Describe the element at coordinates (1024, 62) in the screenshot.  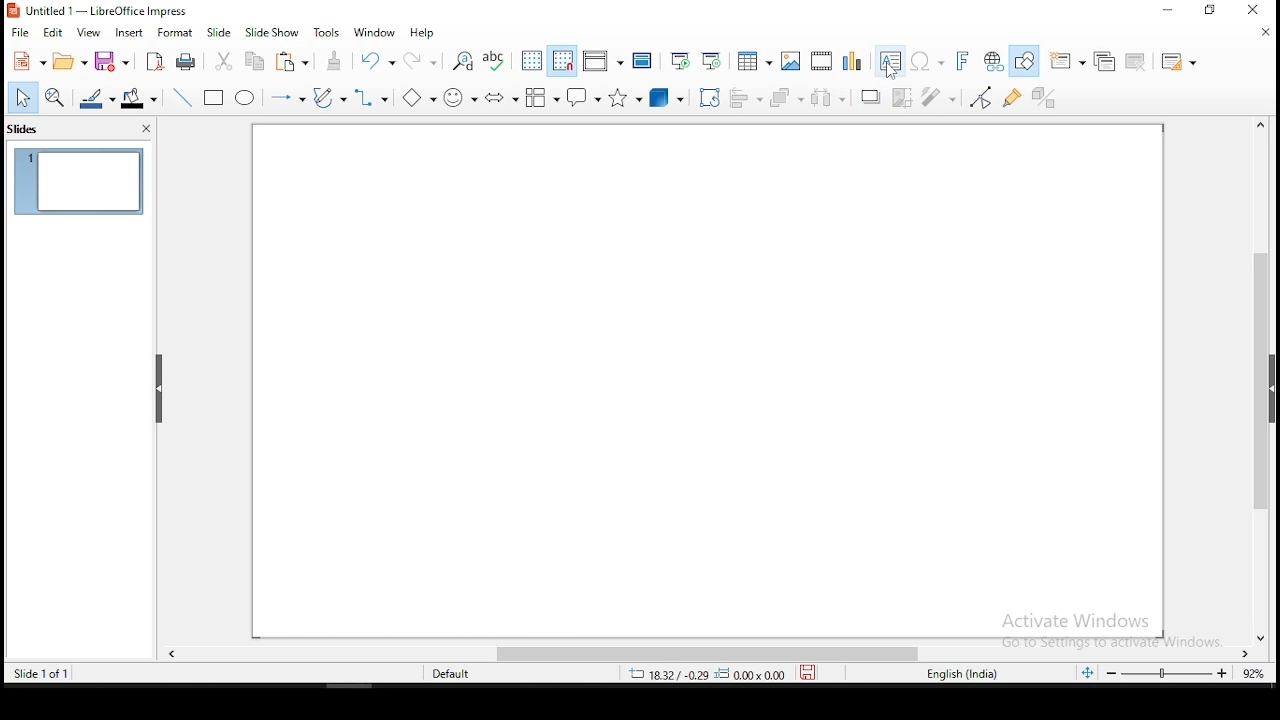
I see `show draw functions` at that location.